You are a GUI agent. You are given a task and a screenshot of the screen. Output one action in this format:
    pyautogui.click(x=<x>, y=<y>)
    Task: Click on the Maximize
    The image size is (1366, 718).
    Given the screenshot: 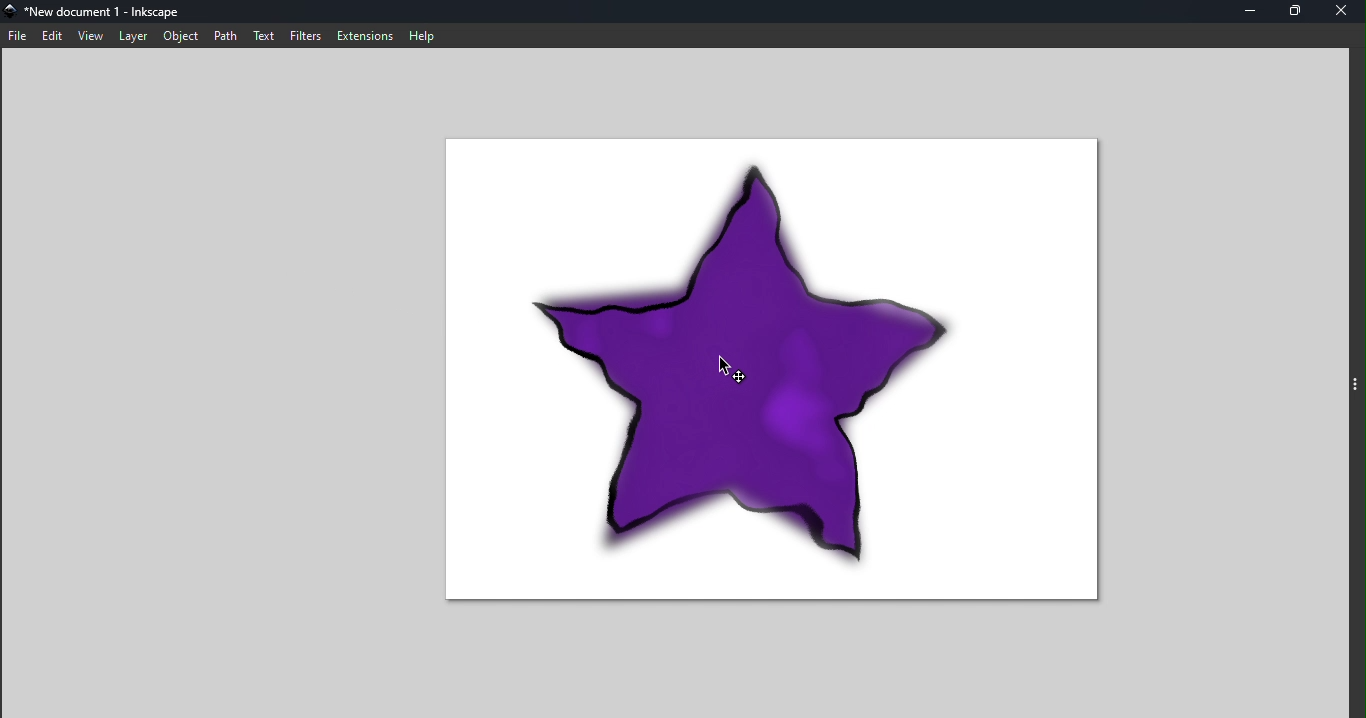 What is the action you would take?
    pyautogui.click(x=1294, y=12)
    